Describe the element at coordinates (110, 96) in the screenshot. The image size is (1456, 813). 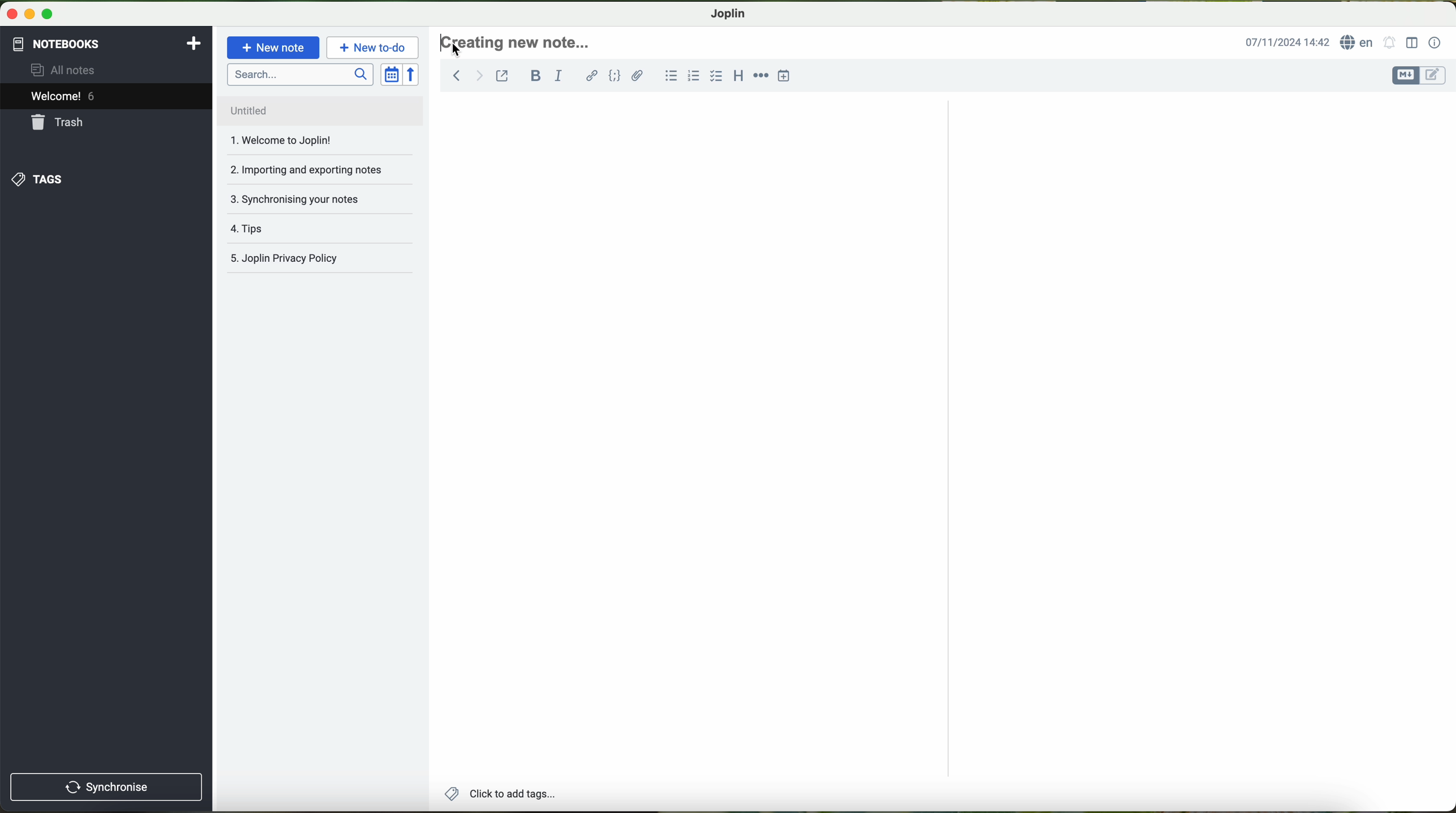
I see `welcome 6` at that location.